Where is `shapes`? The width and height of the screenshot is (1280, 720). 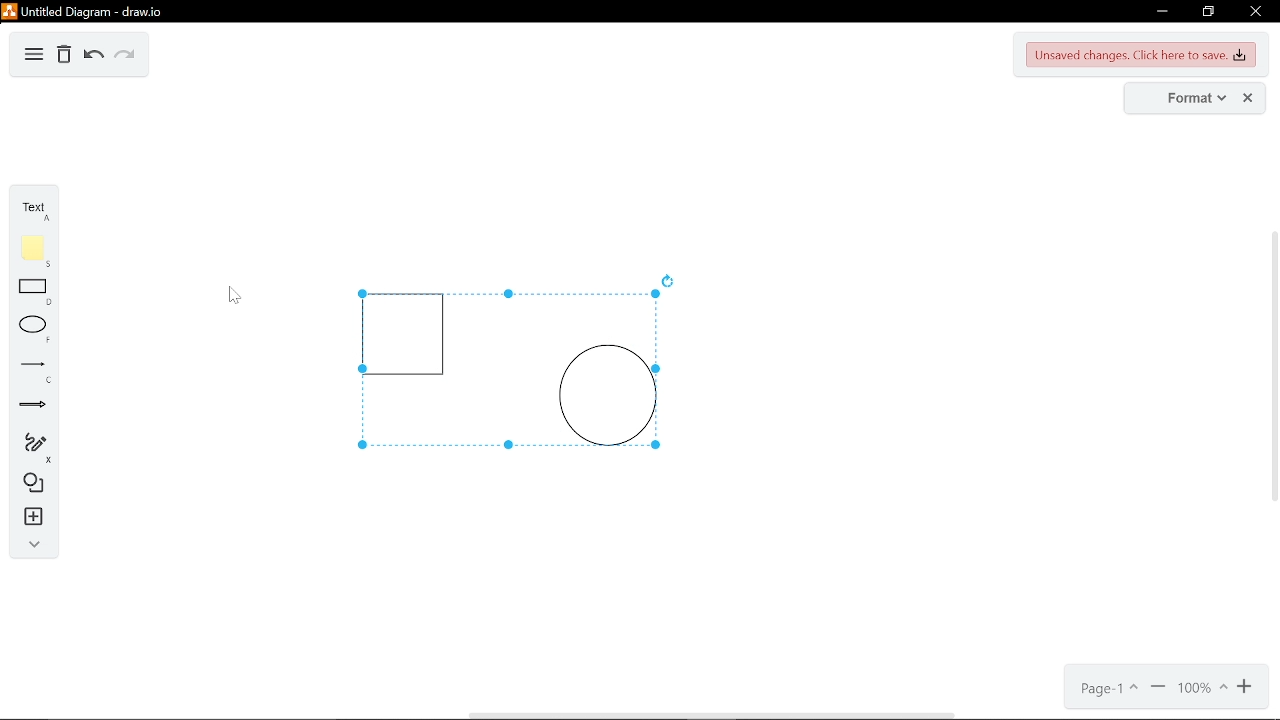 shapes is located at coordinates (30, 484).